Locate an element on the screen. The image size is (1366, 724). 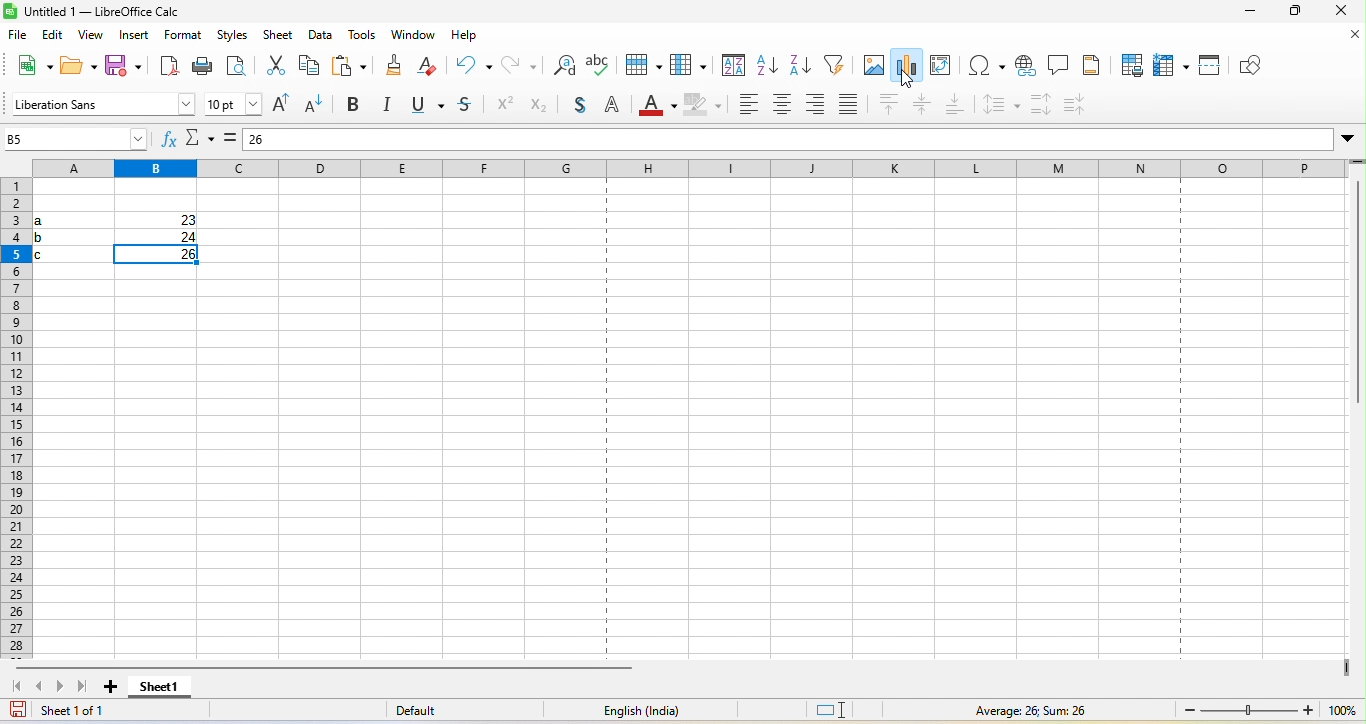
sheet is located at coordinates (278, 35).